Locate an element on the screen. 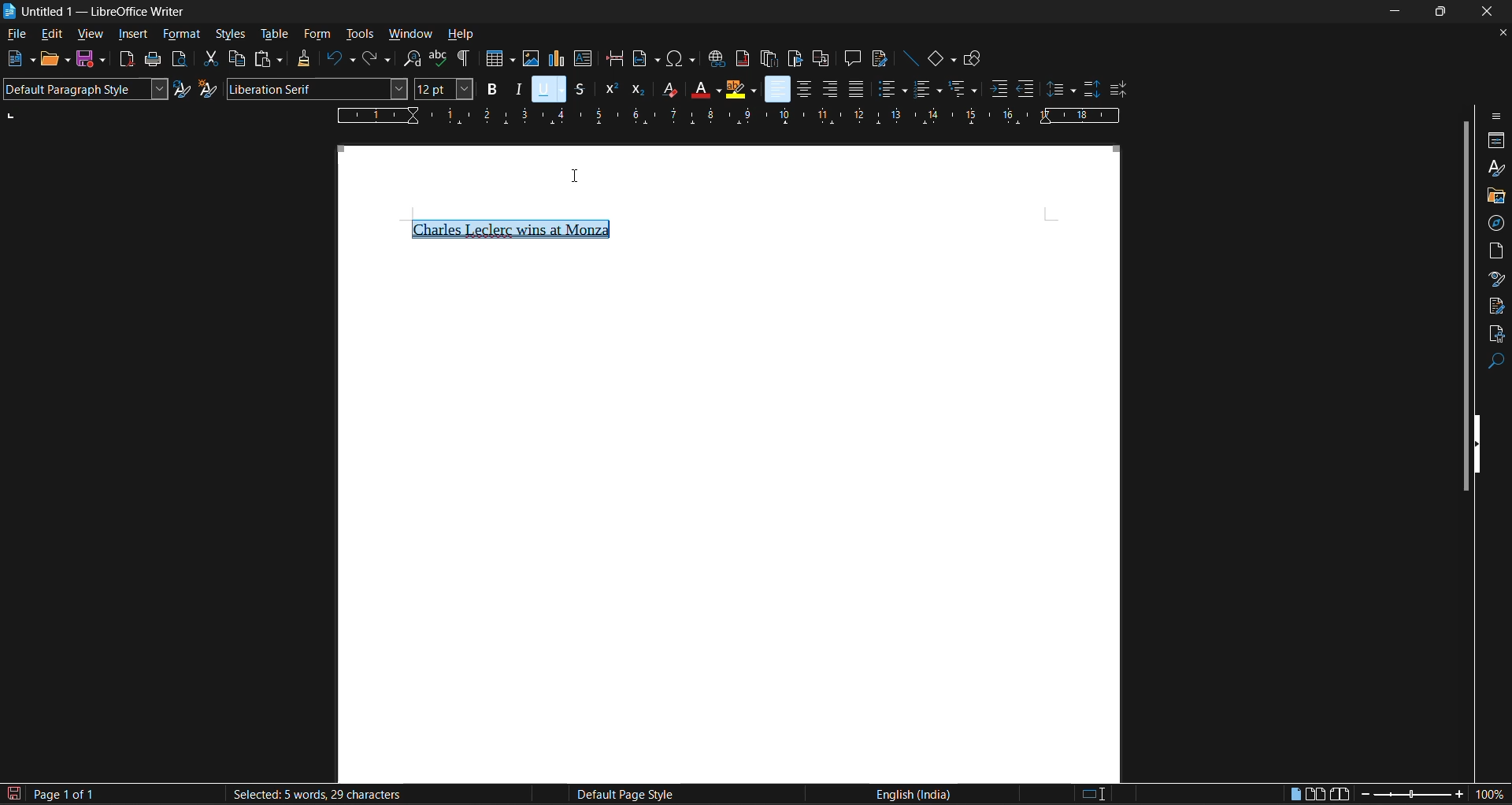  text language is located at coordinates (911, 793).